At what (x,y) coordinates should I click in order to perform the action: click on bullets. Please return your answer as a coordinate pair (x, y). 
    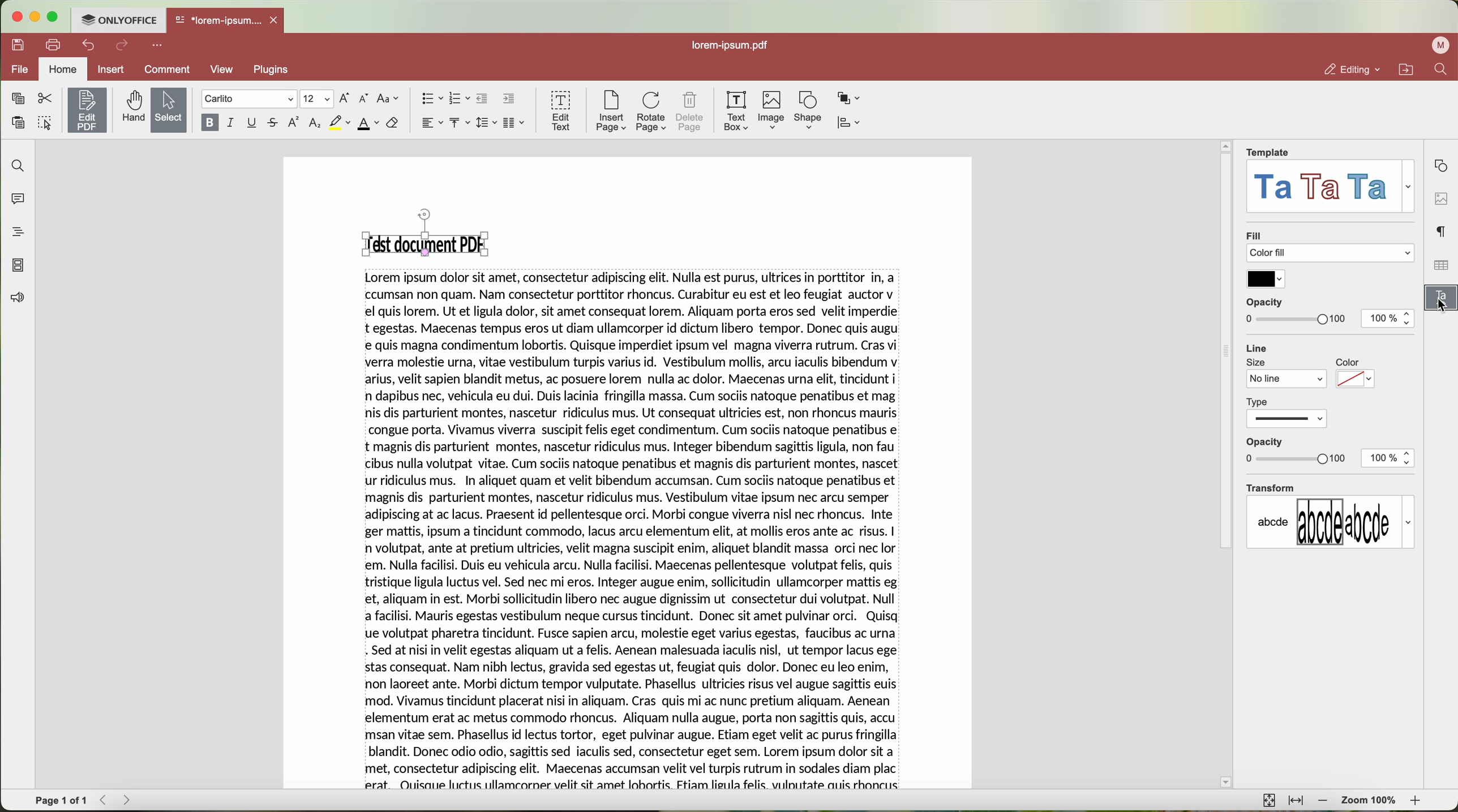
    Looking at the image, I should click on (431, 98).